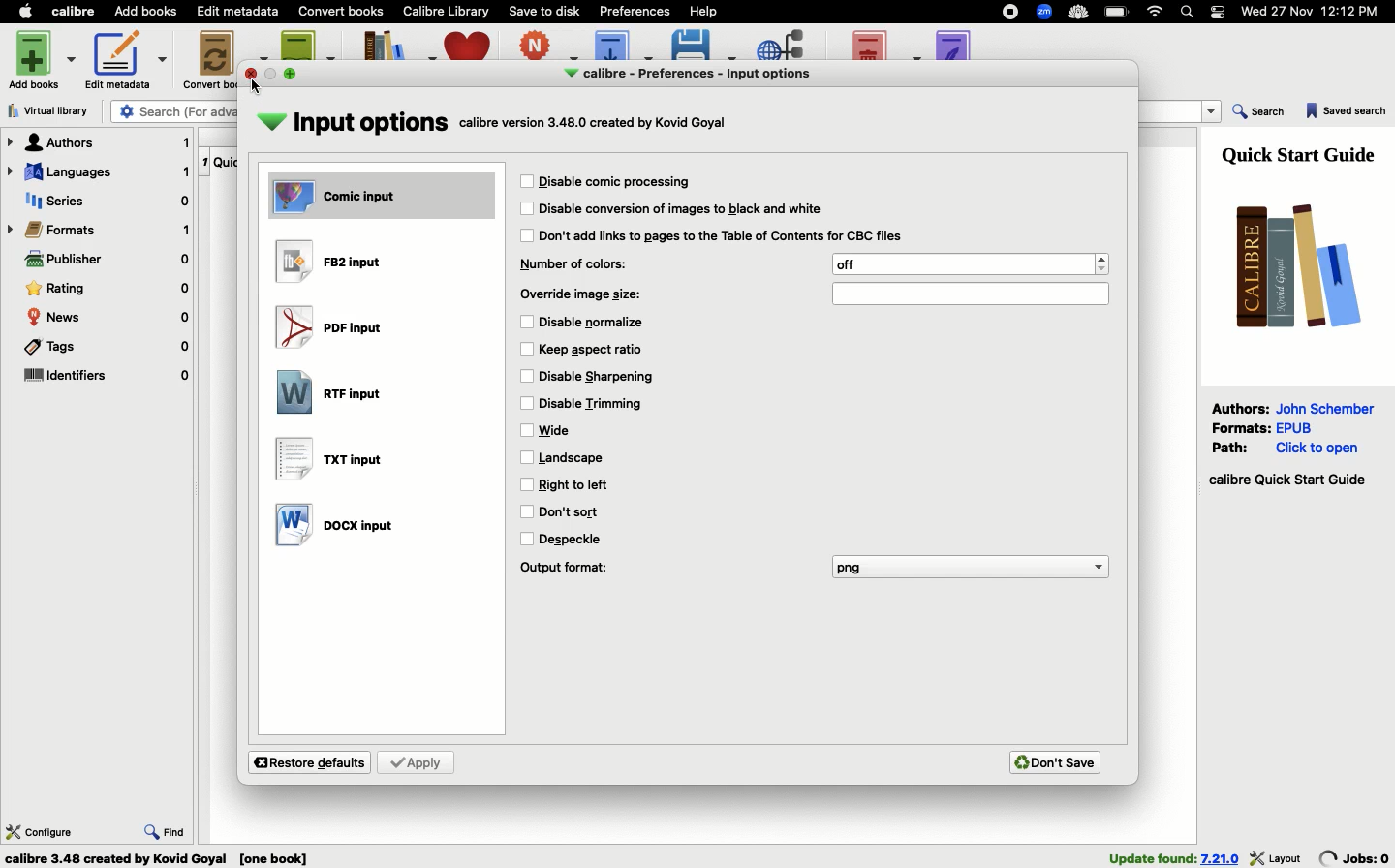  Describe the element at coordinates (681, 209) in the screenshot. I see `Disable` at that location.